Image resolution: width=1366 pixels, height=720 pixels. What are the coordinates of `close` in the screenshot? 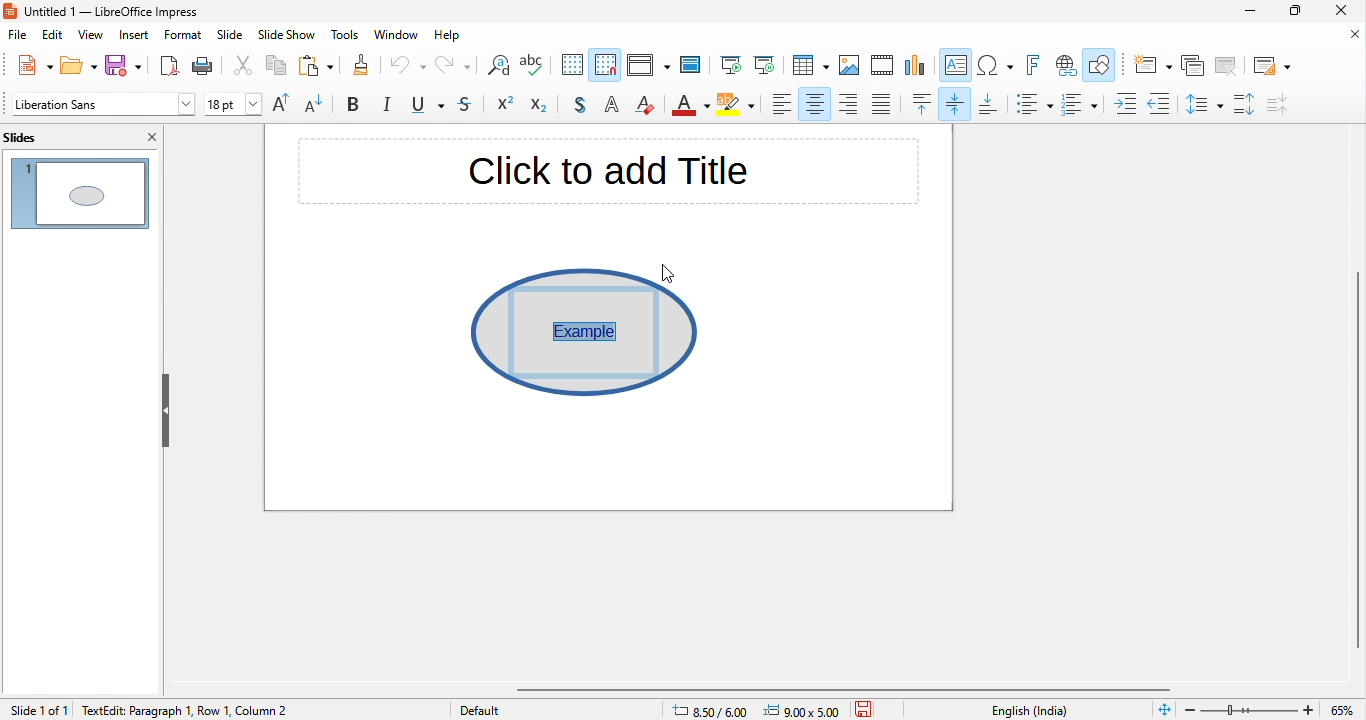 It's located at (1346, 12).